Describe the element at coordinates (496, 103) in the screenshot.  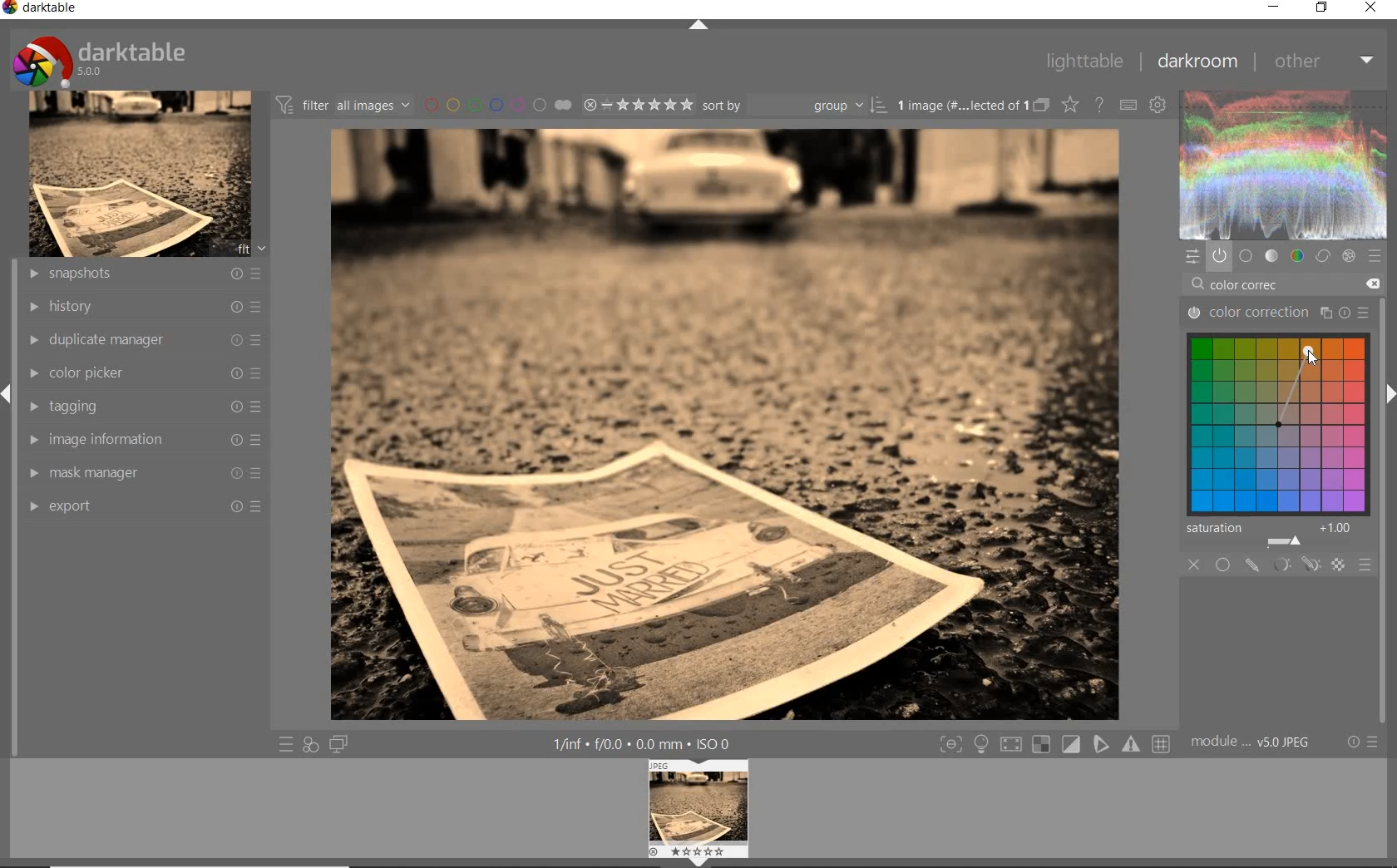
I see `filter by image color lebel` at that location.